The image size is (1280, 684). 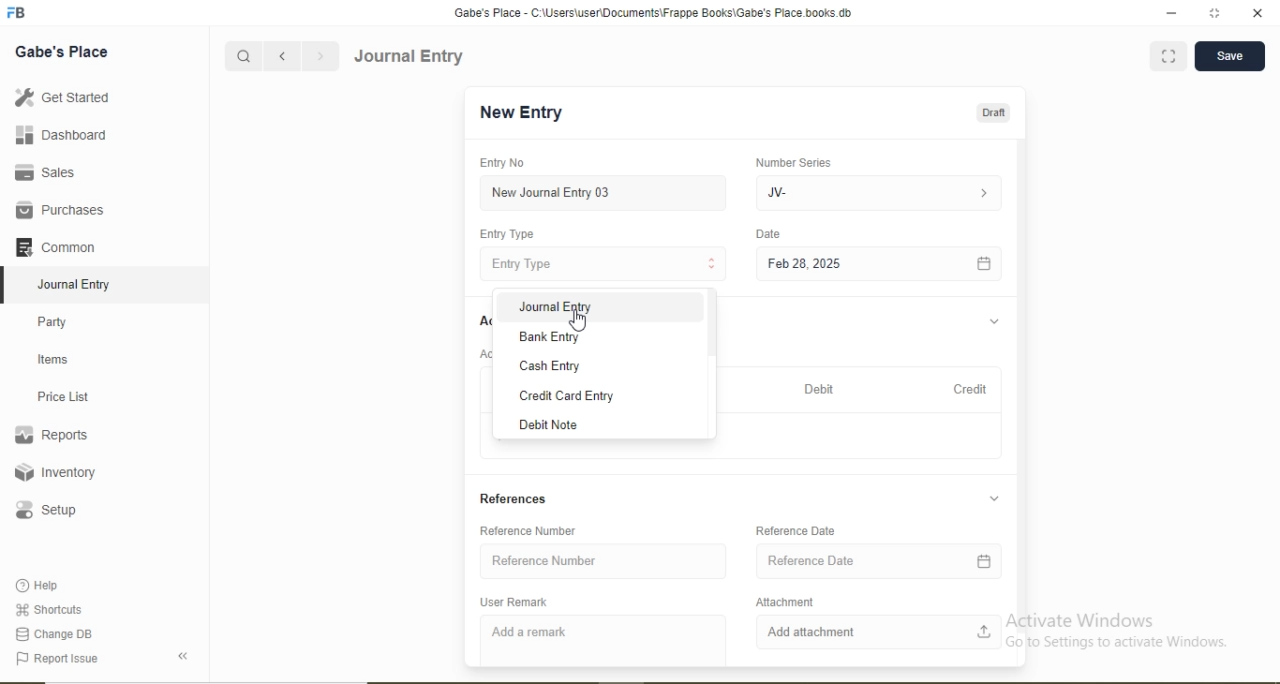 I want to click on Gabe's Place, so click(x=62, y=52).